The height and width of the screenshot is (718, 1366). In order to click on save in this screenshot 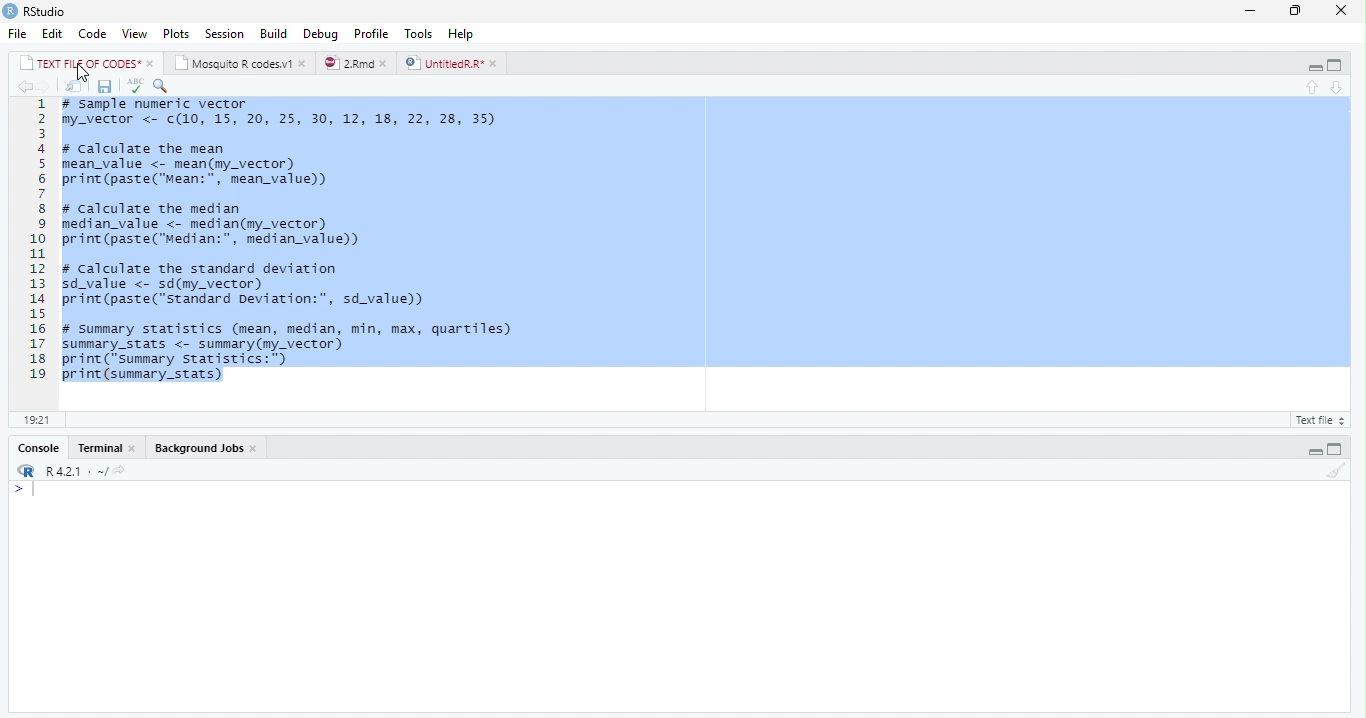, I will do `click(106, 87)`.